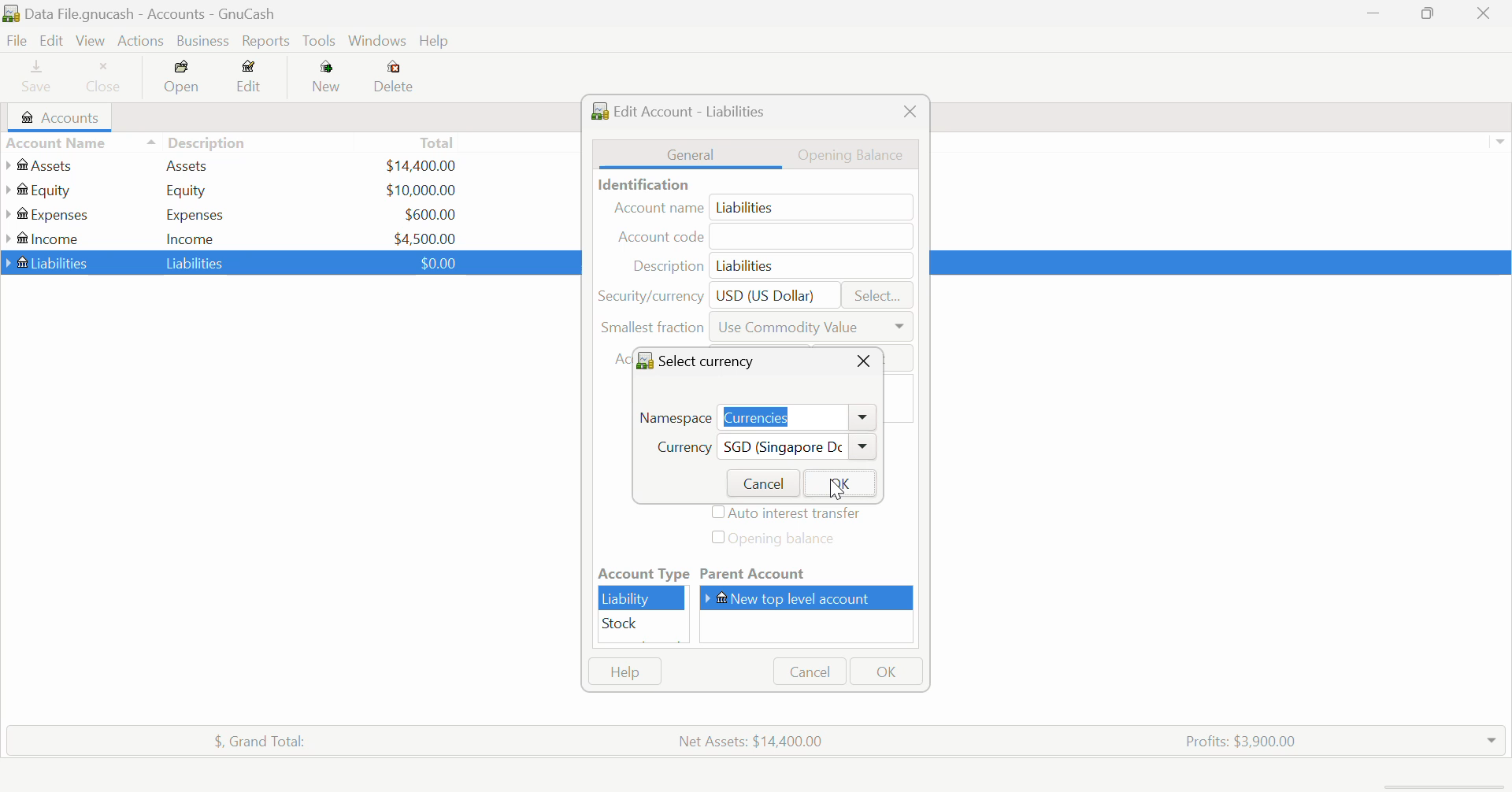 This screenshot has height=792, width=1512. I want to click on Business, so click(203, 41).